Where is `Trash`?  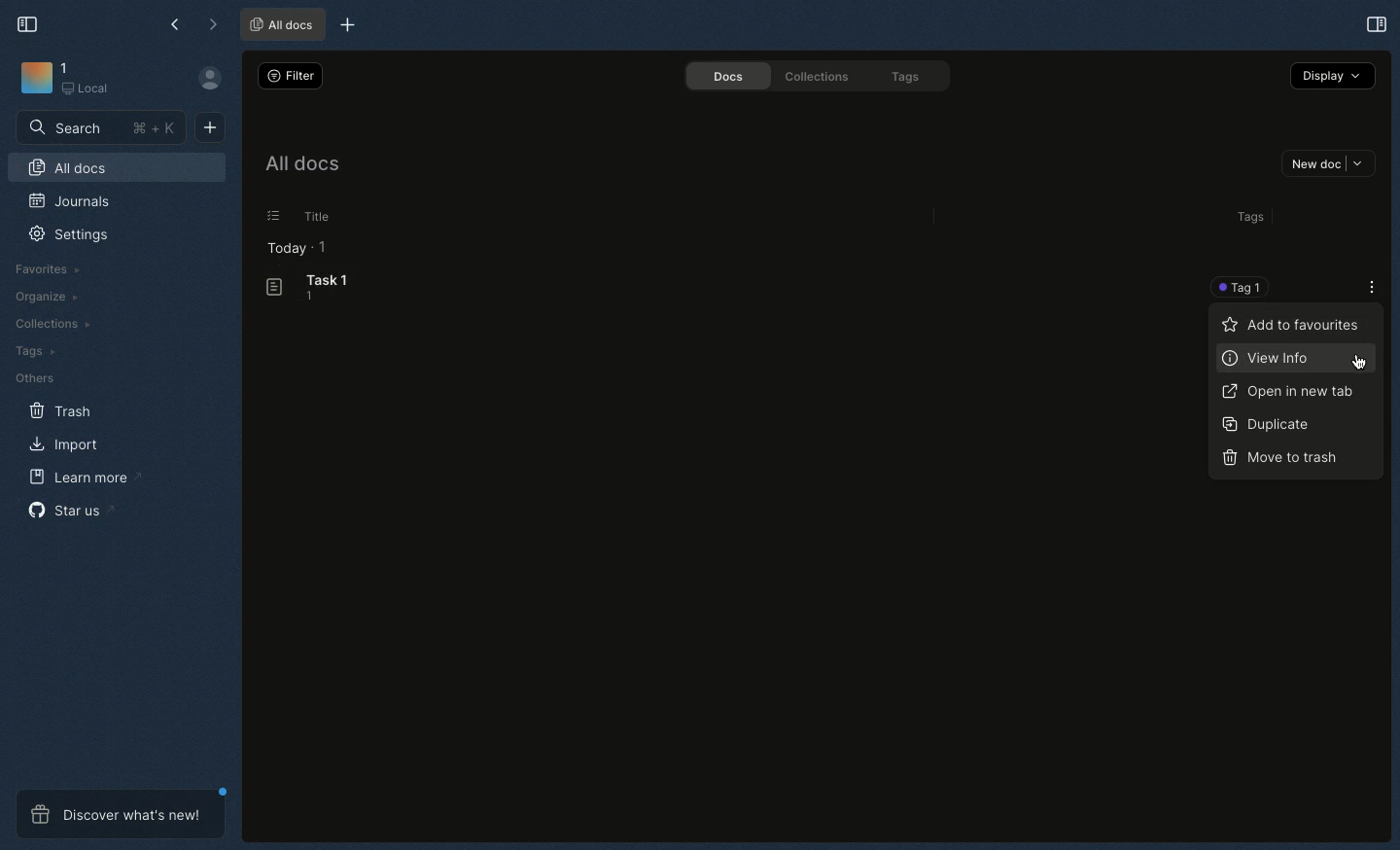
Trash is located at coordinates (60, 411).